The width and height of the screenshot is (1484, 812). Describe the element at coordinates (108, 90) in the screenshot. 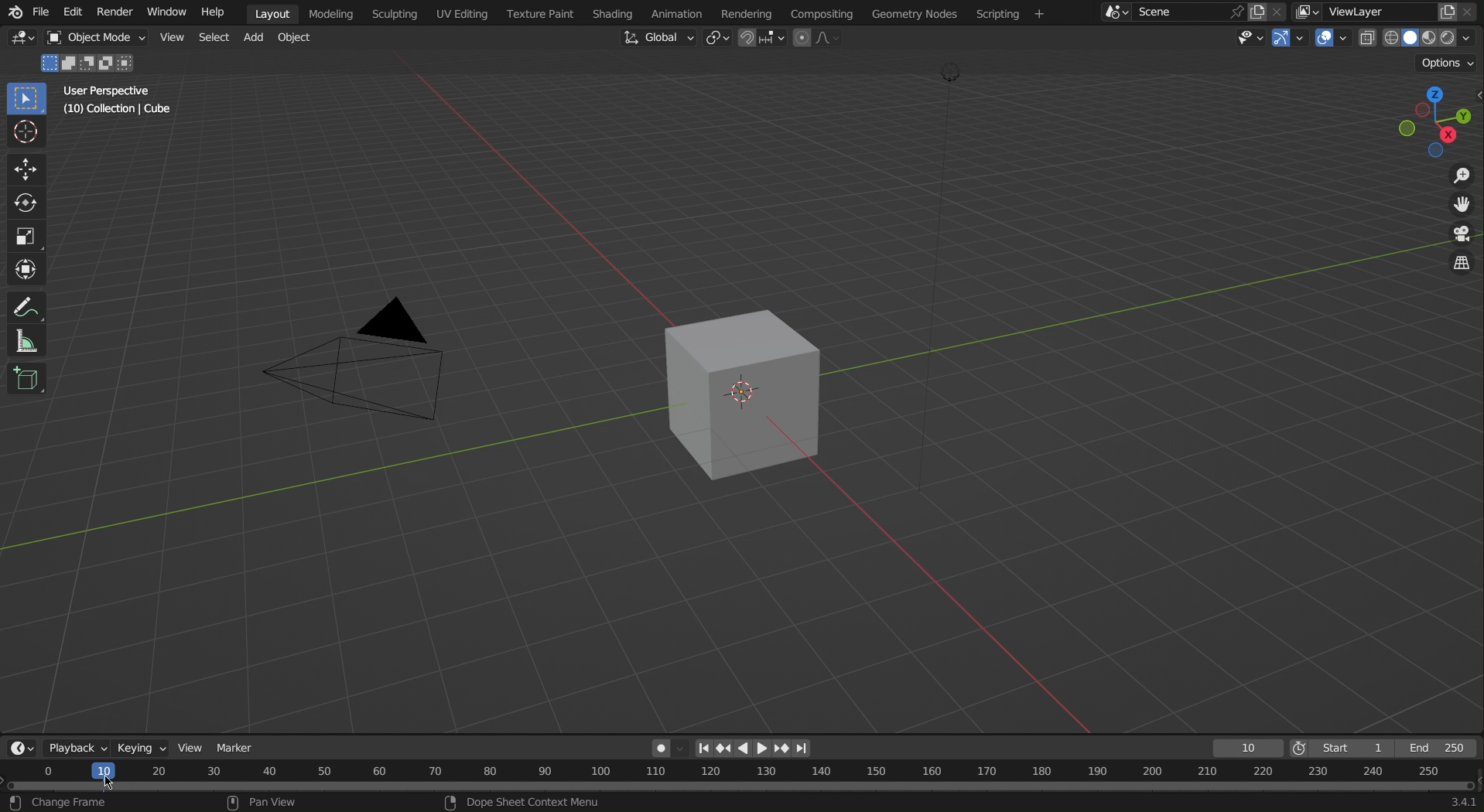

I see `User Perspective` at that location.